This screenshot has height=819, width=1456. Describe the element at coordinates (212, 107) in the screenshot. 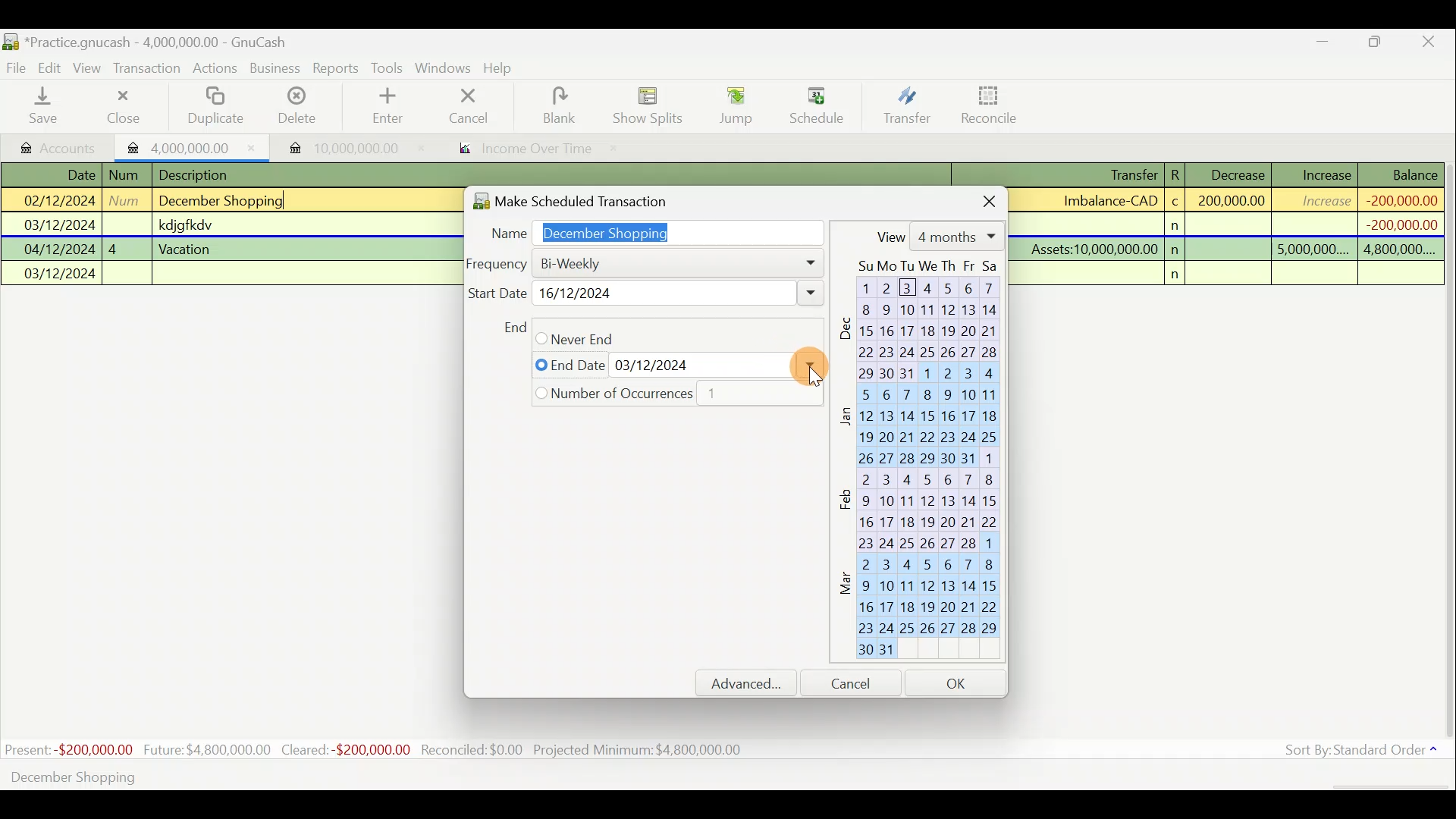

I see `Duplicate` at that location.